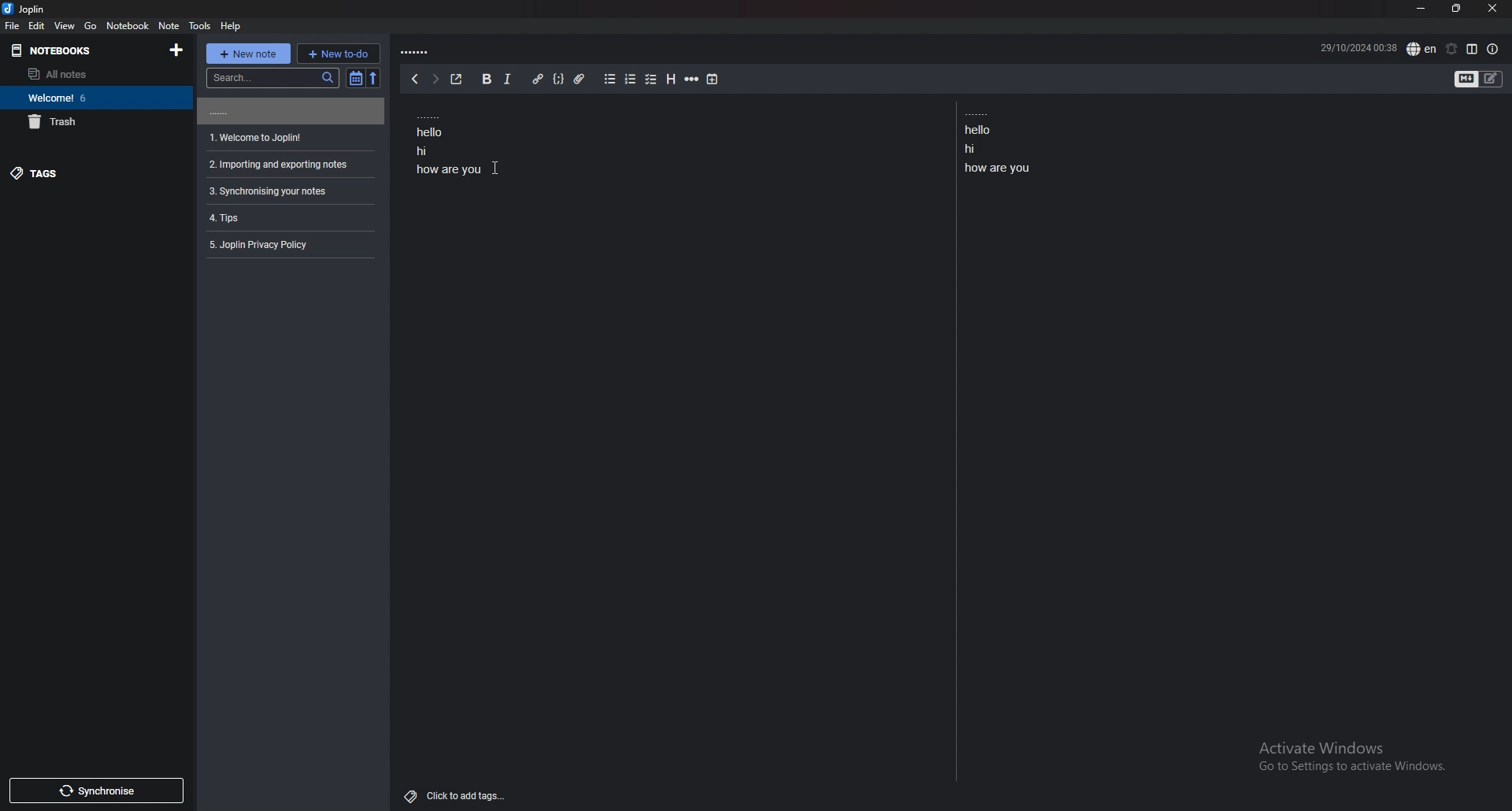  What do you see at coordinates (288, 138) in the screenshot?
I see `note` at bounding box center [288, 138].